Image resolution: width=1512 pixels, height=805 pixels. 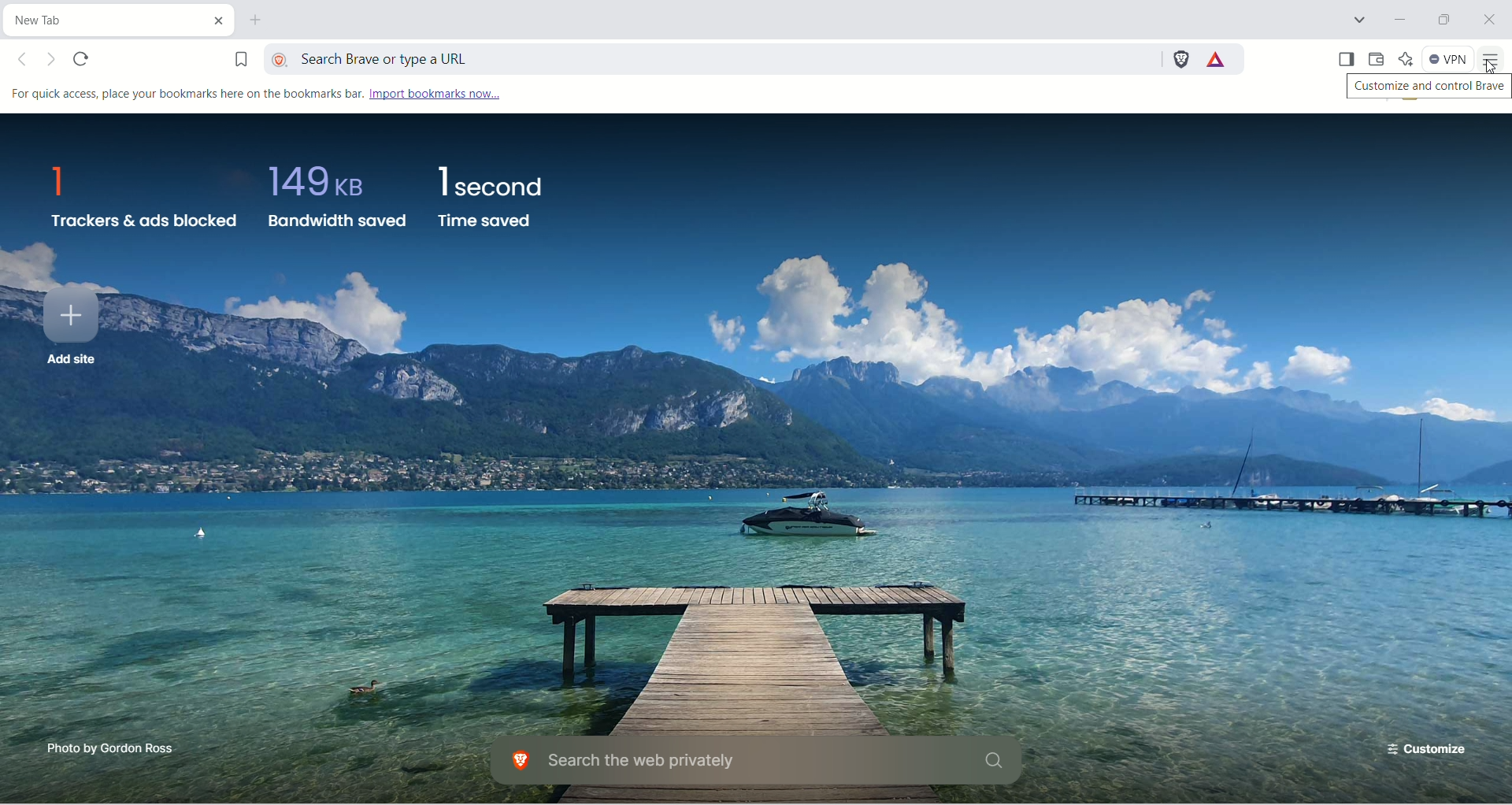 I want to click on trackers and ads blocked, so click(x=143, y=200).